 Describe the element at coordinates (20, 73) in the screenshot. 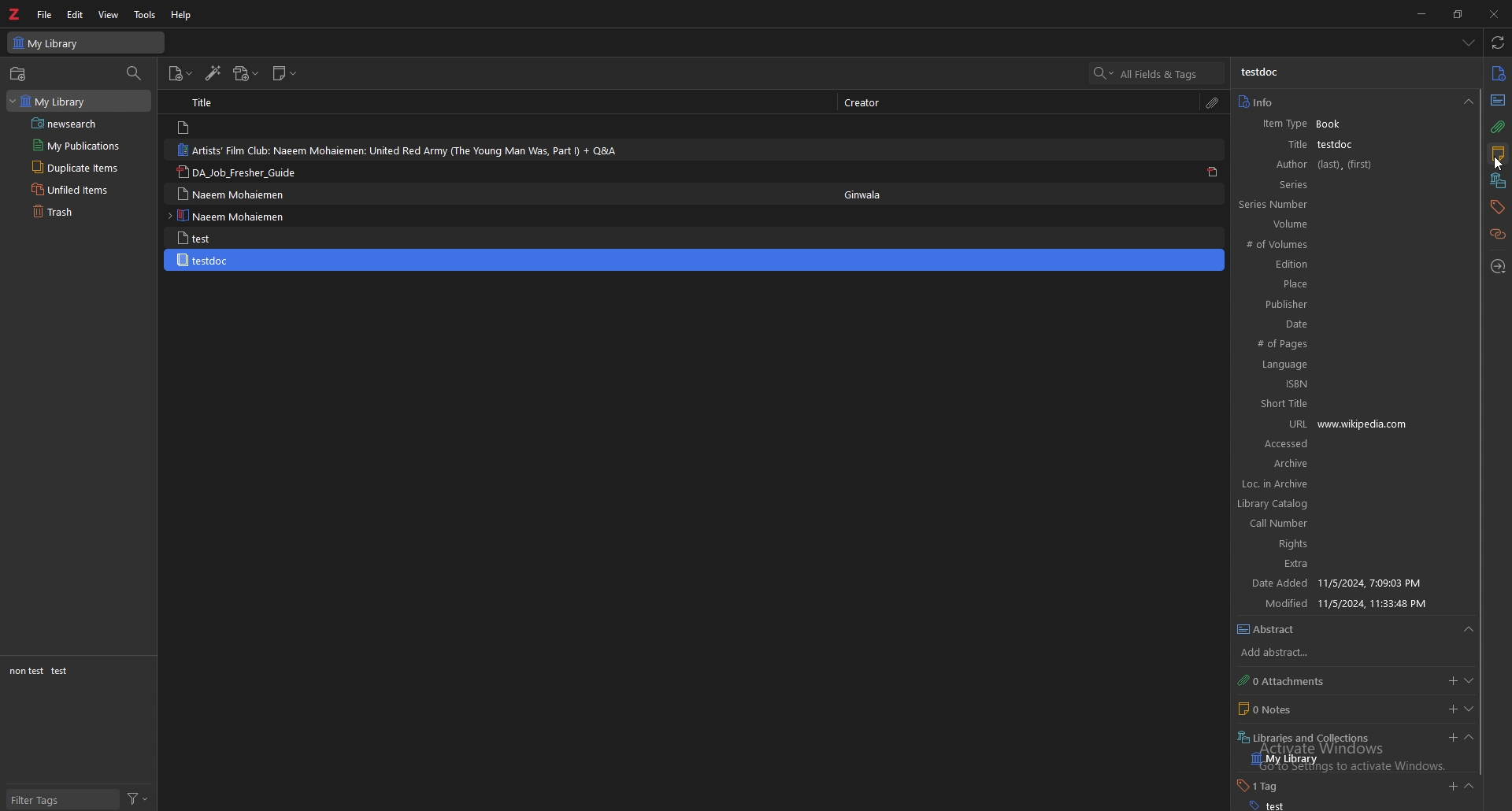

I see `new collections` at that location.